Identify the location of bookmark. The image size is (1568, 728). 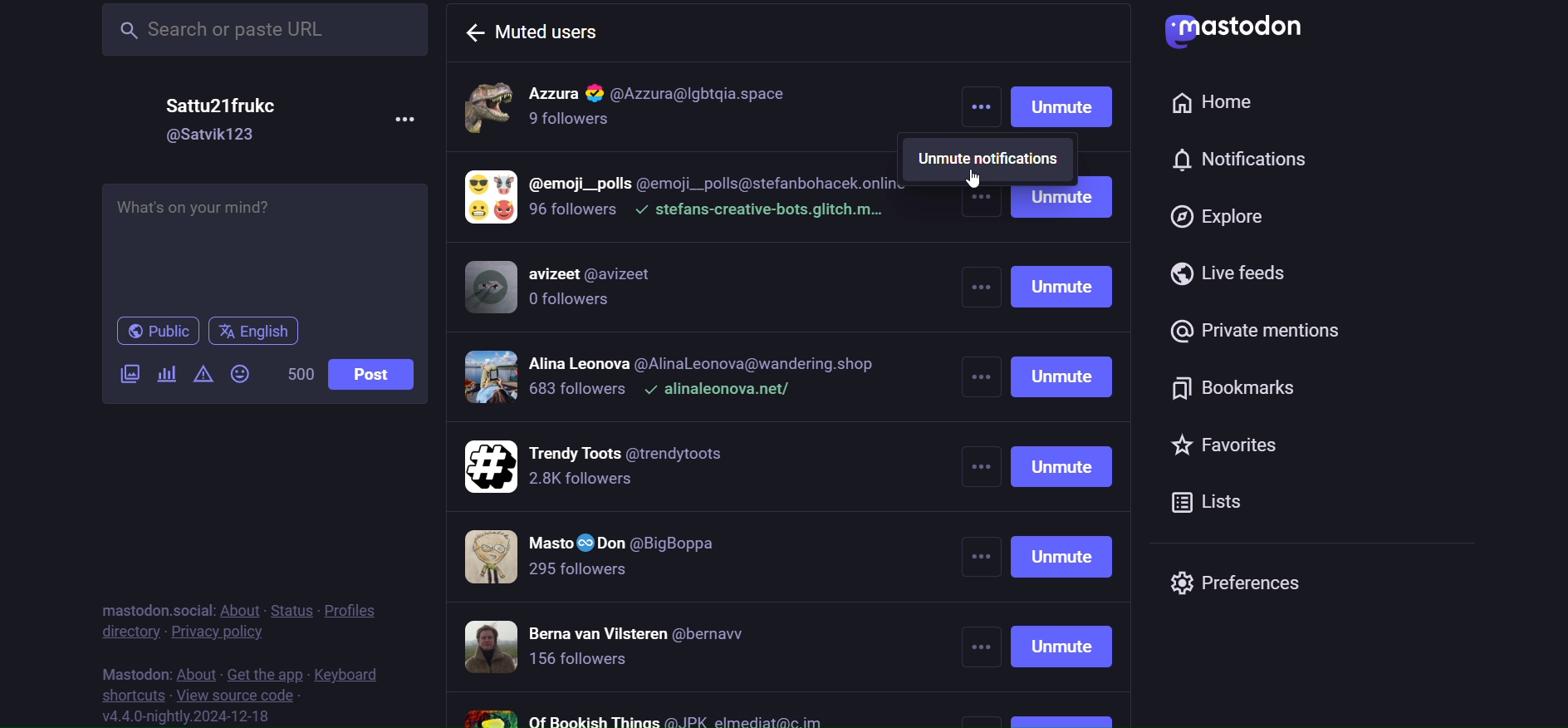
(1240, 386).